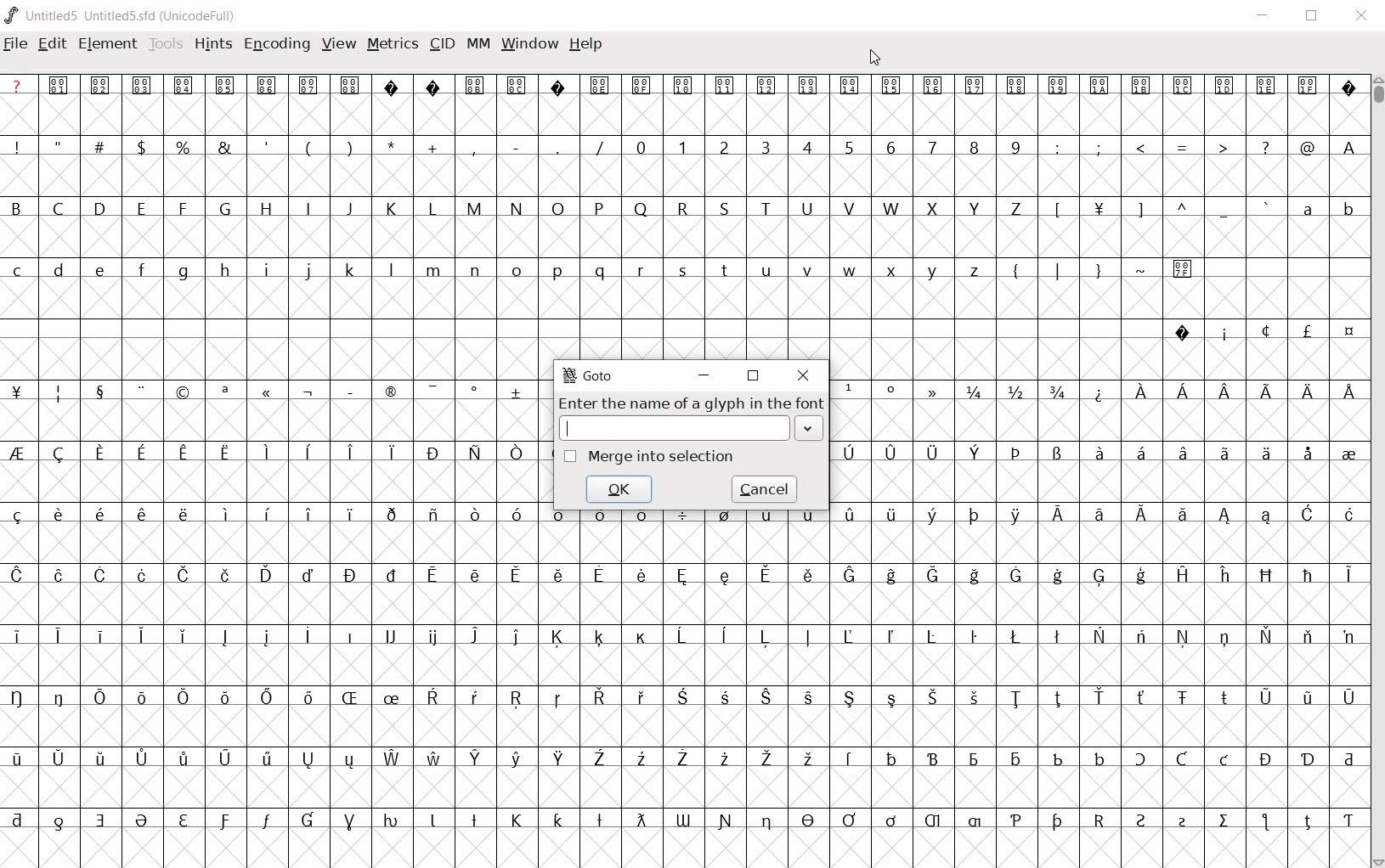 The width and height of the screenshot is (1385, 868). I want to click on B, so click(22, 206).